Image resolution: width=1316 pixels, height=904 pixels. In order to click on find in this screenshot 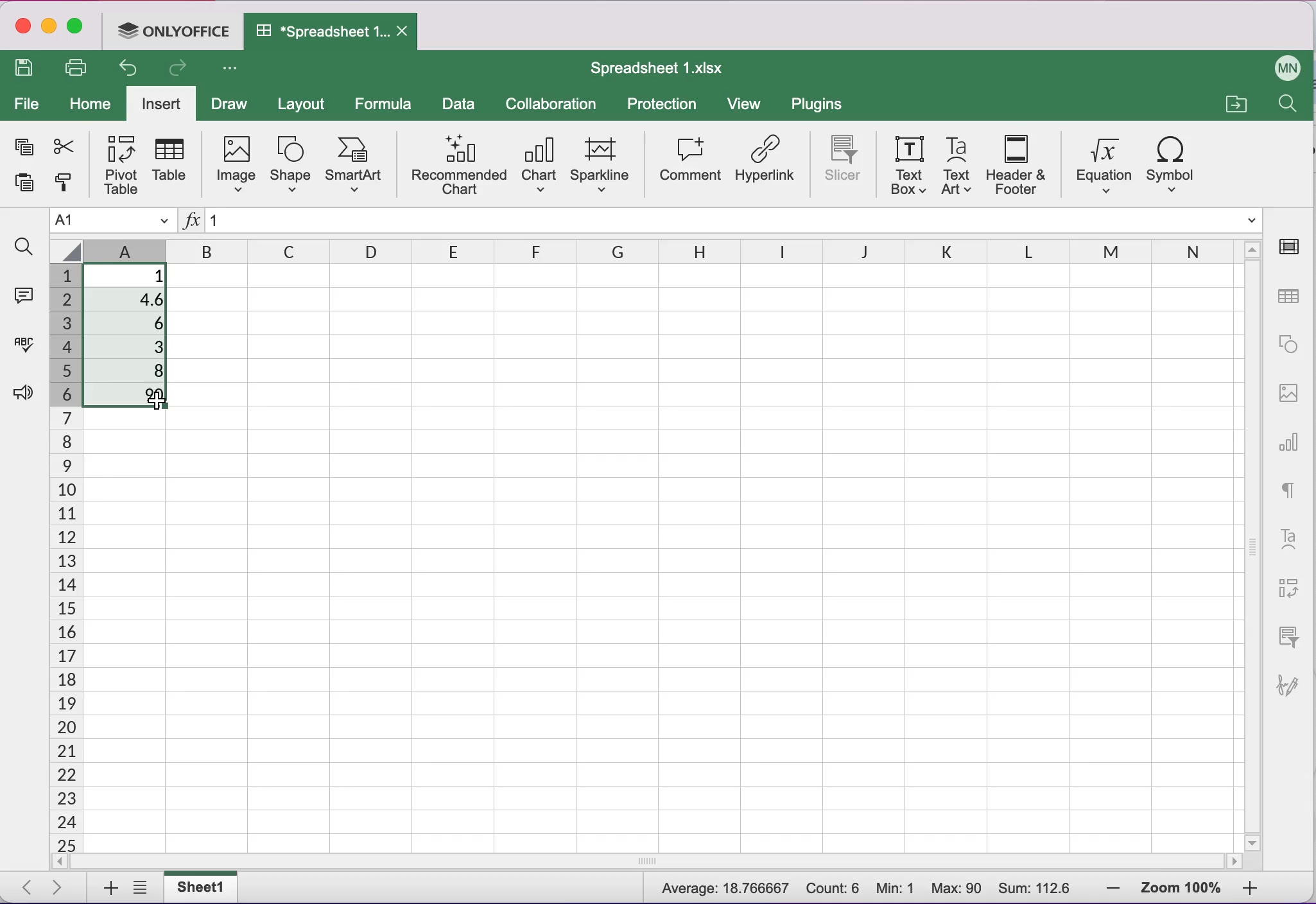, I will do `click(24, 248)`.